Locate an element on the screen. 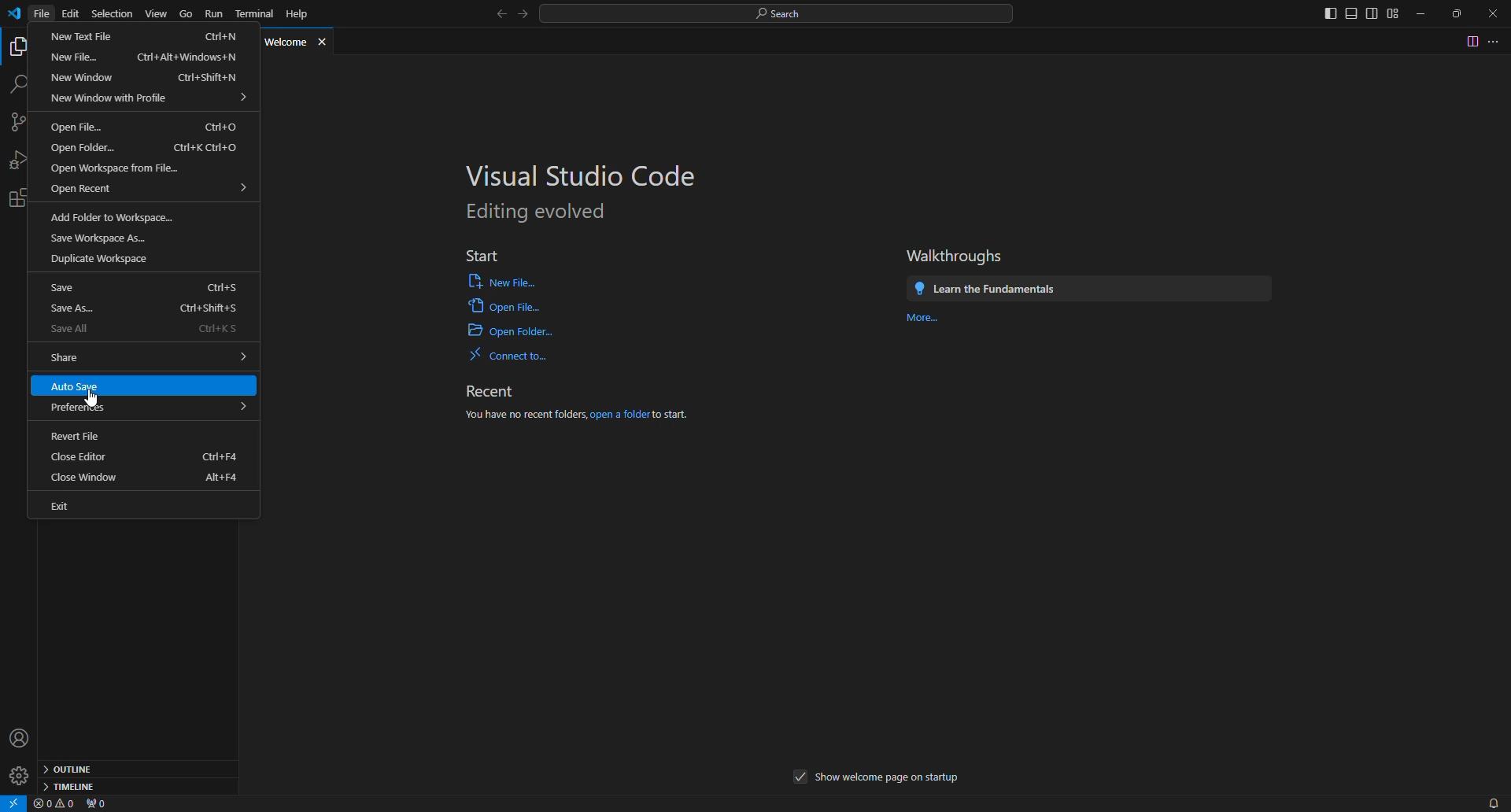 Image resolution: width=1511 pixels, height=812 pixels. go forward is located at coordinates (524, 16).